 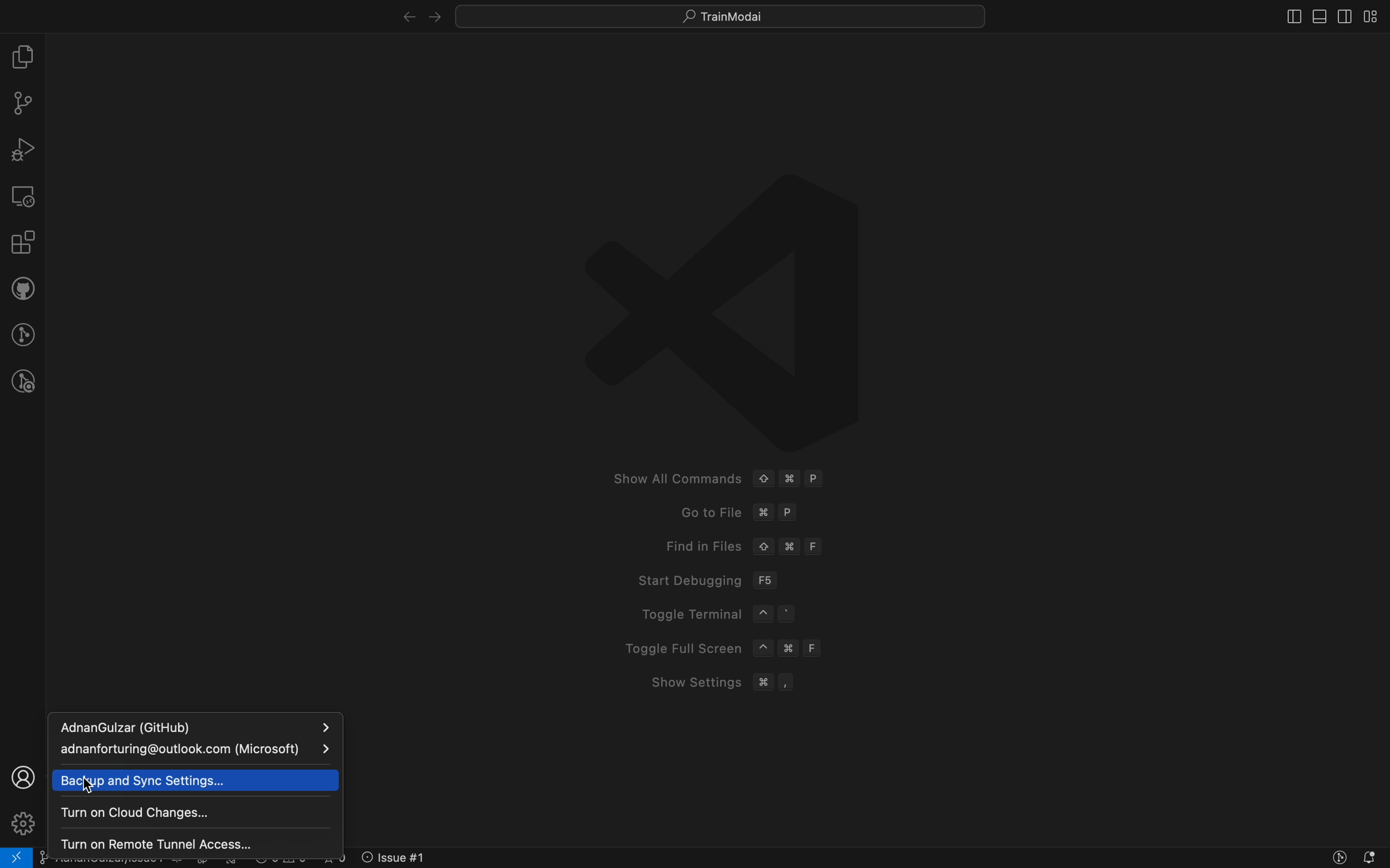 I want to click on gitlens, so click(x=22, y=332).